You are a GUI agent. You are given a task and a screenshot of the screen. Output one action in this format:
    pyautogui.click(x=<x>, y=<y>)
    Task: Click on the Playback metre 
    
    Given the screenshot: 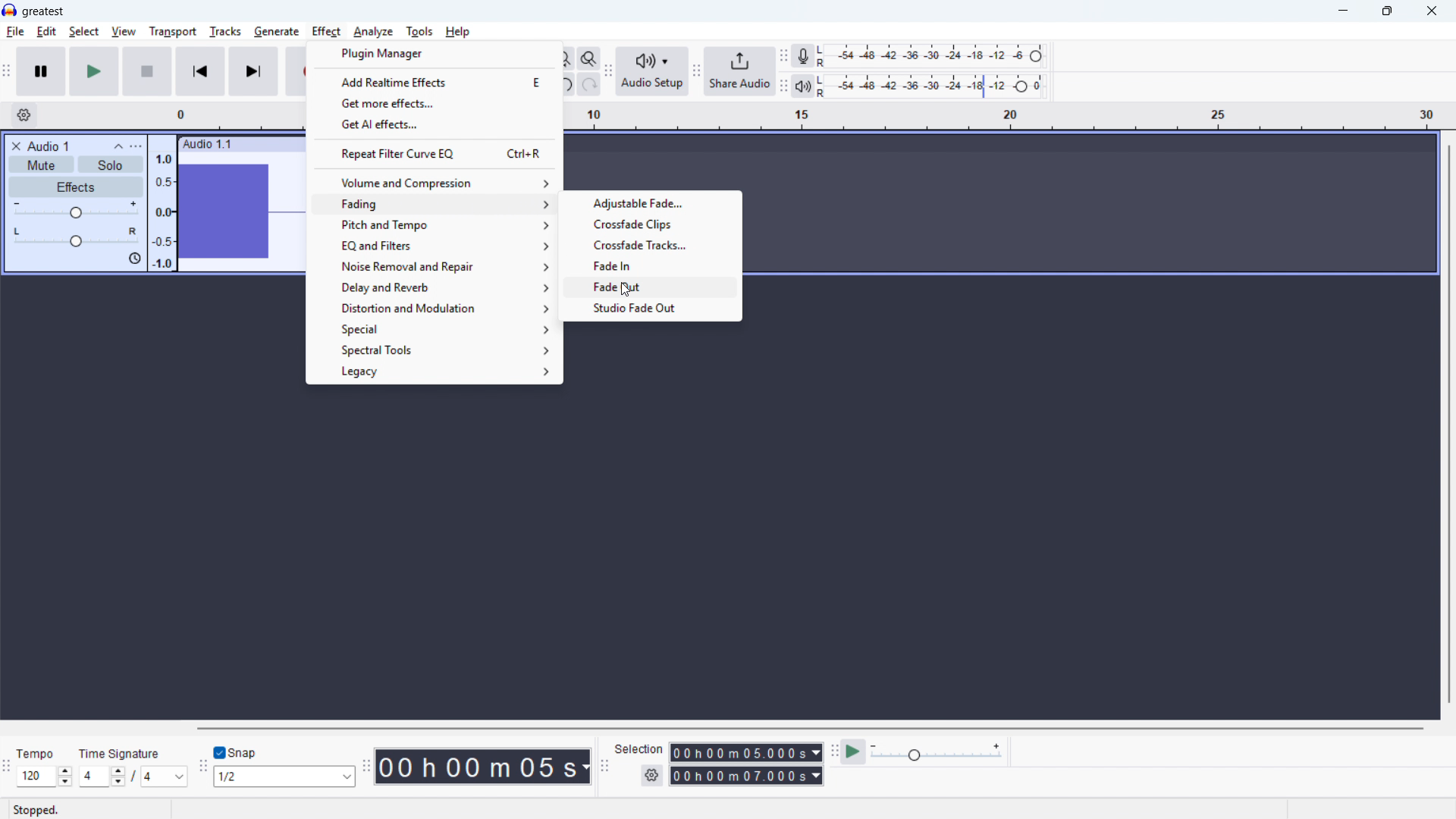 What is the action you would take?
    pyautogui.click(x=802, y=86)
    